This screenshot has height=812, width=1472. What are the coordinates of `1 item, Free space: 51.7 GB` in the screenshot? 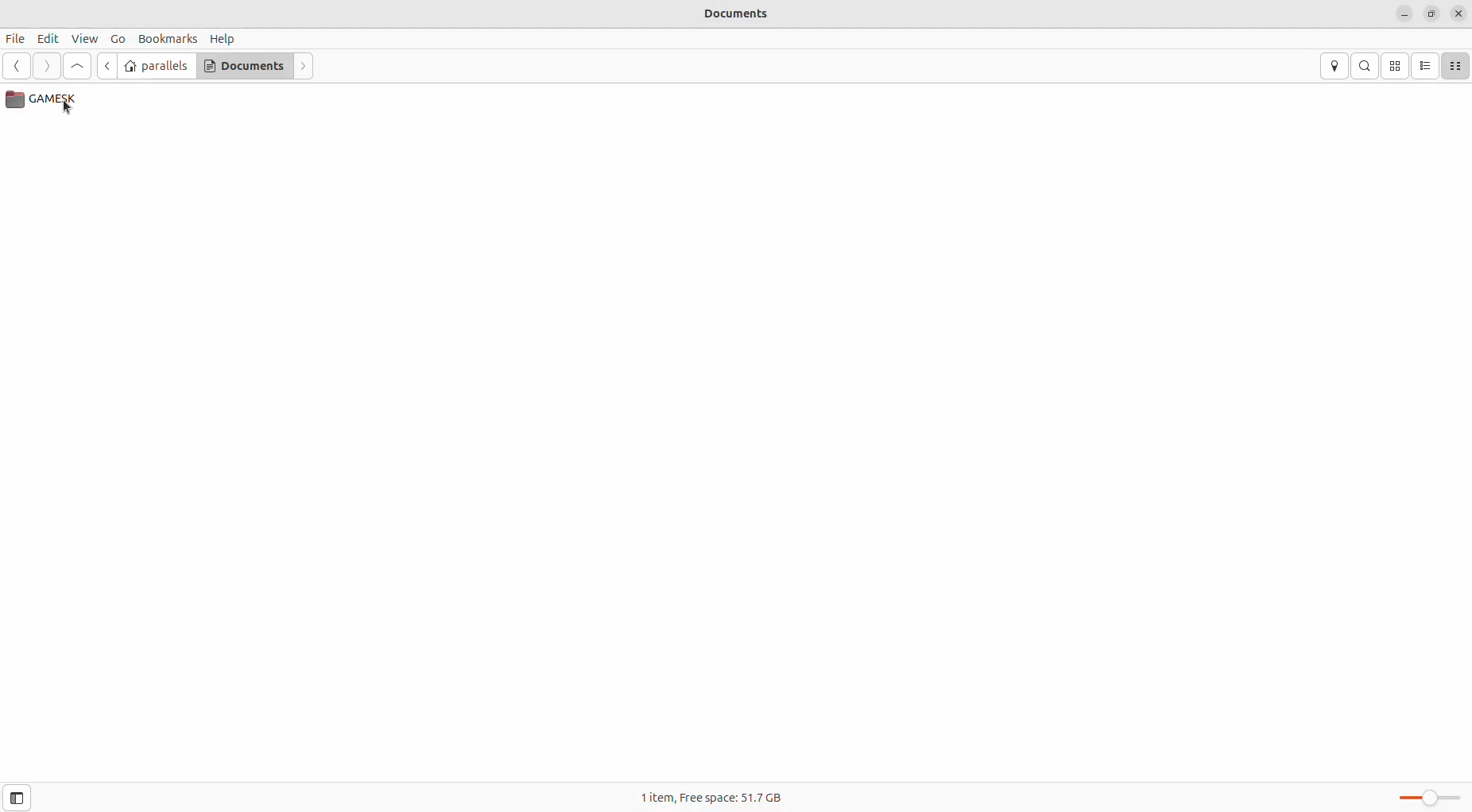 It's located at (736, 798).